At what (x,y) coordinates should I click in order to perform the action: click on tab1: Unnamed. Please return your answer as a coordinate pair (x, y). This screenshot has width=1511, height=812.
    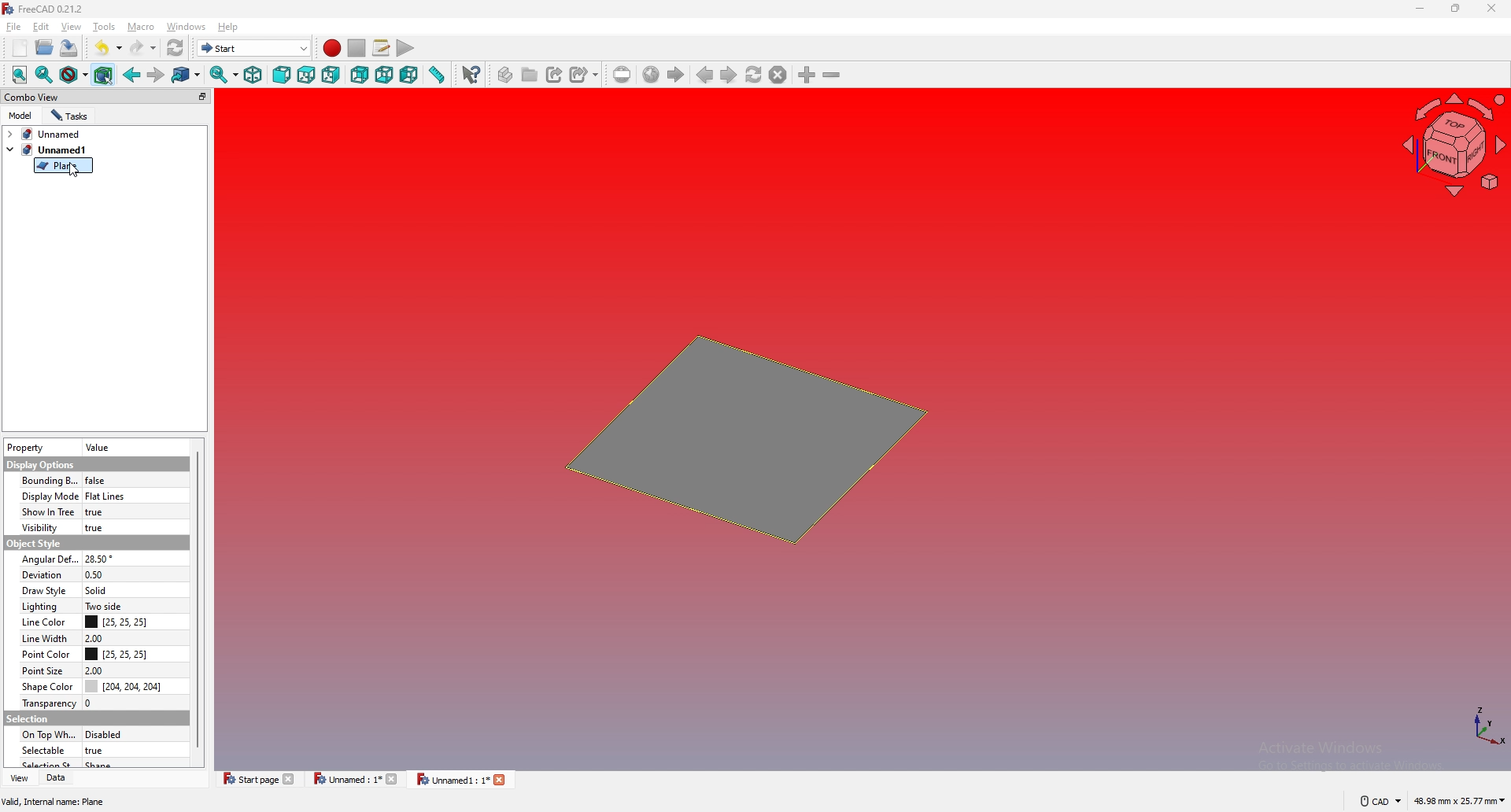
    Looking at the image, I should click on (49, 134).